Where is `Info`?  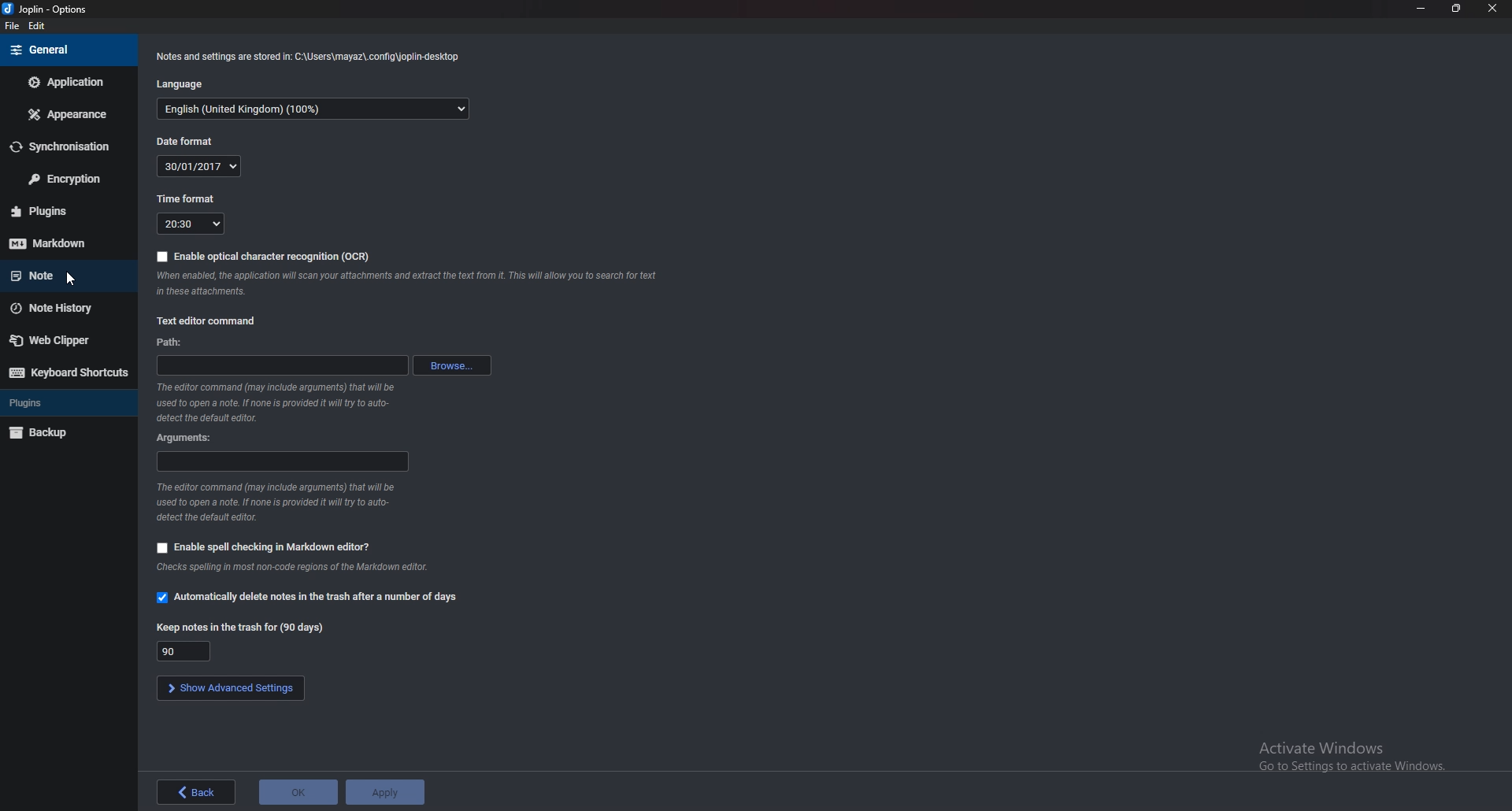
Info is located at coordinates (278, 503).